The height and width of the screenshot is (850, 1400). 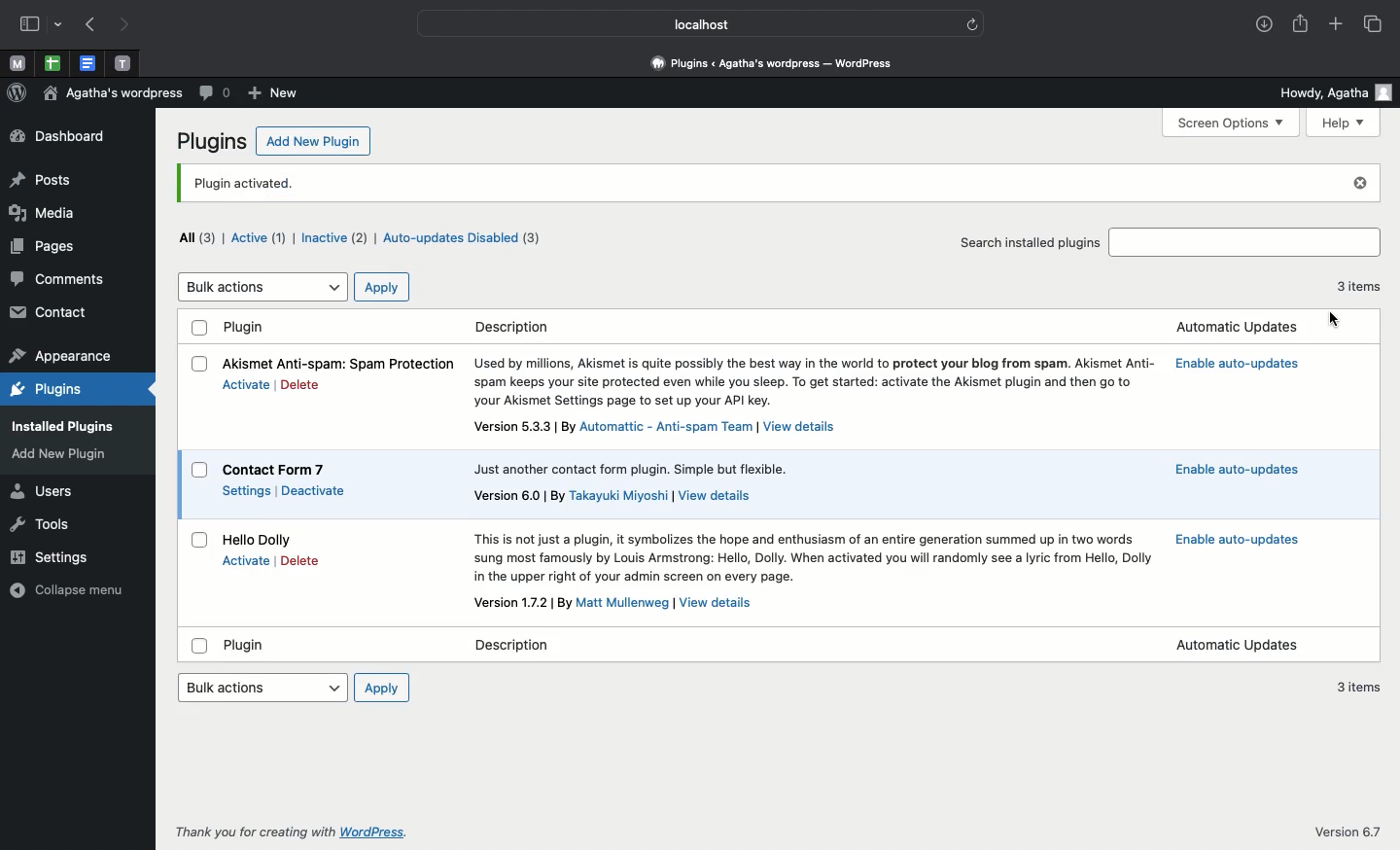 I want to click on enable auto-updates, so click(x=1239, y=538).